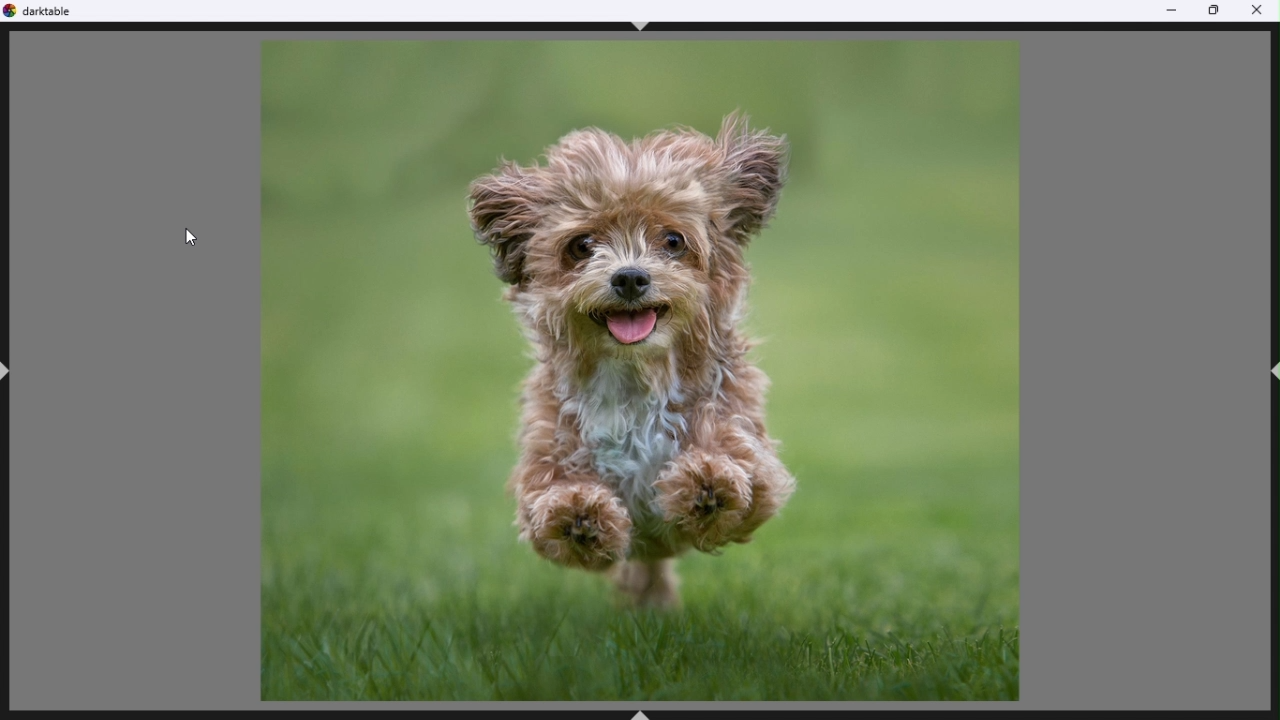 The image size is (1280, 720). What do you see at coordinates (1260, 10) in the screenshot?
I see `Close close` at bounding box center [1260, 10].